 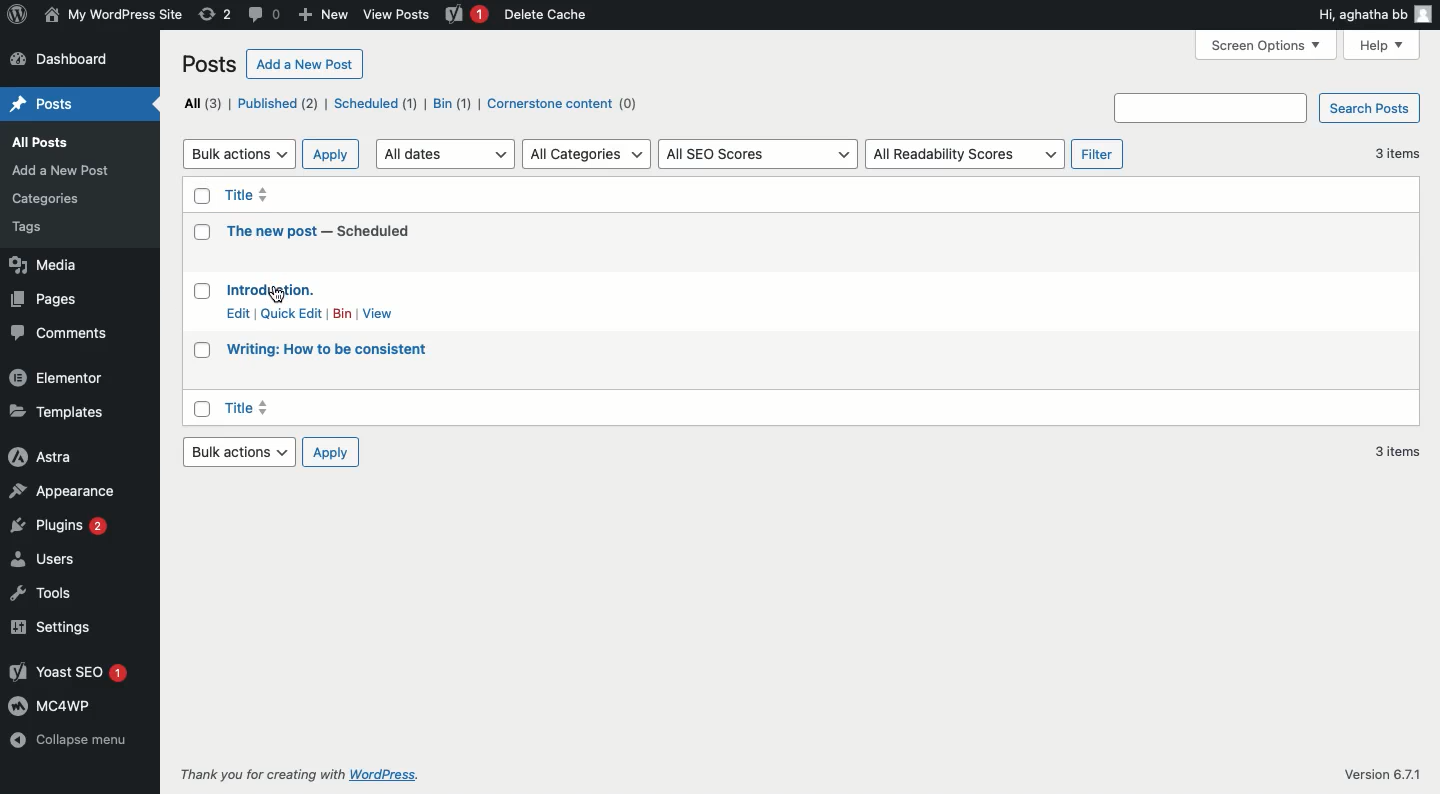 What do you see at coordinates (304, 63) in the screenshot?
I see `Add new post` at bounding box center [304, 63].